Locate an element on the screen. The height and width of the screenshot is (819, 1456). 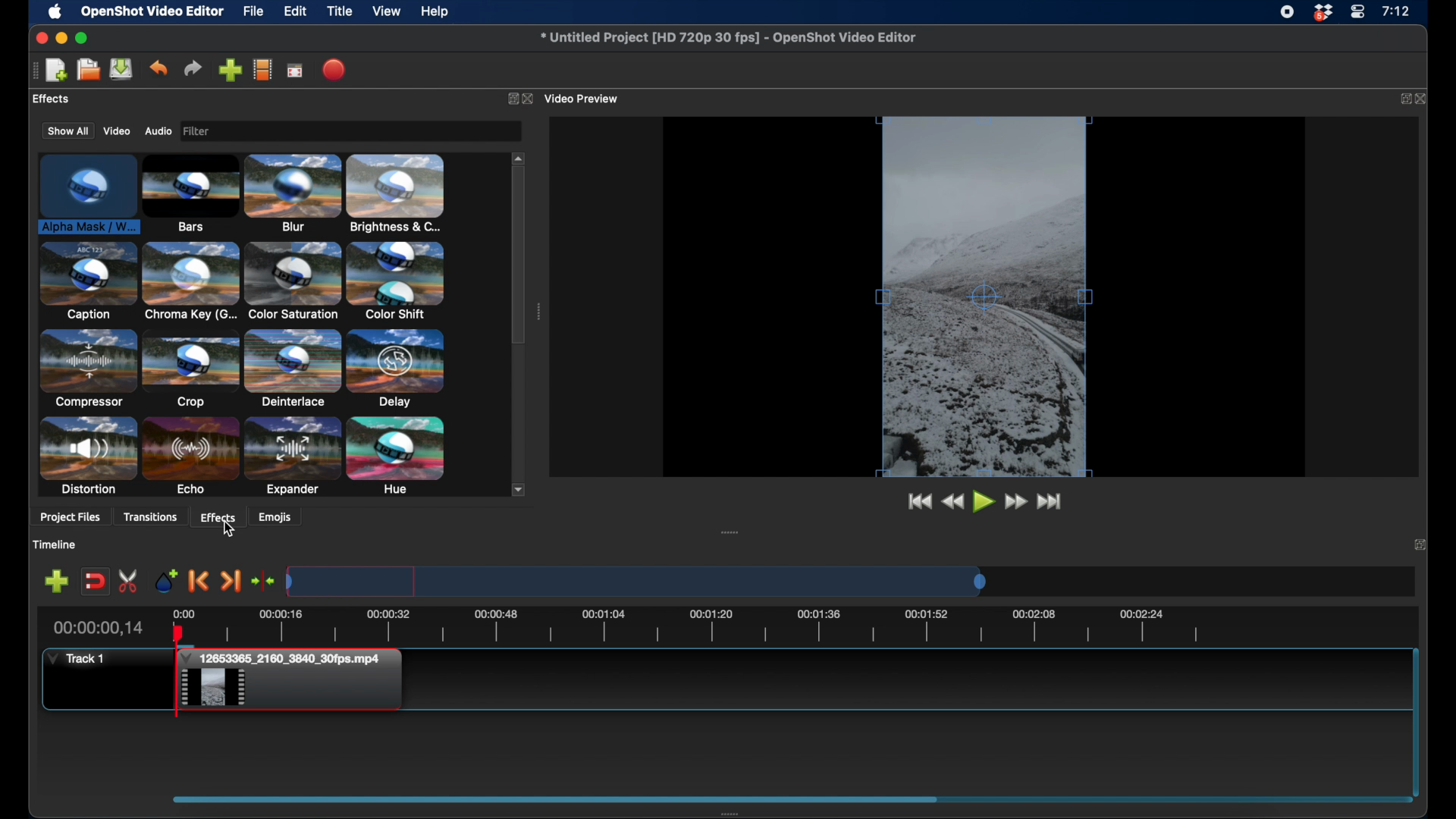
scroll down arrow is located at coordinates (519, 489).